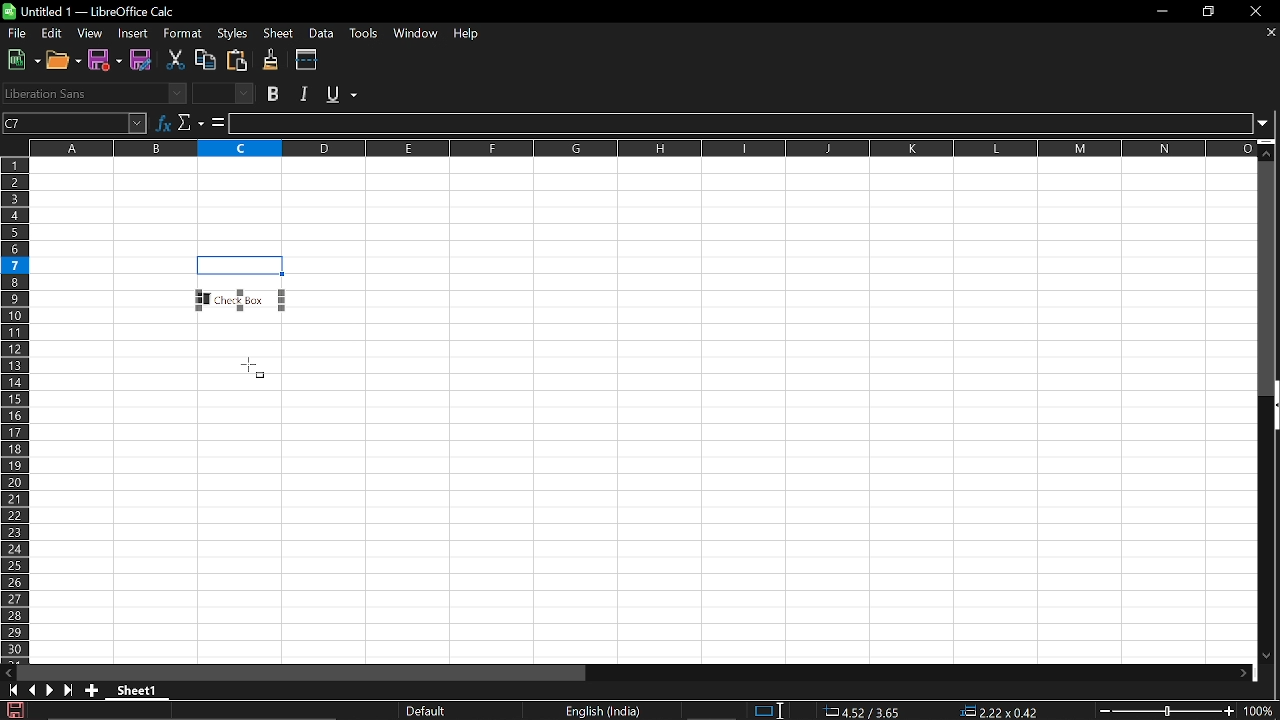  Describe the element at coordinates (603, 712) in the screenshot. I see `Language` at that location.